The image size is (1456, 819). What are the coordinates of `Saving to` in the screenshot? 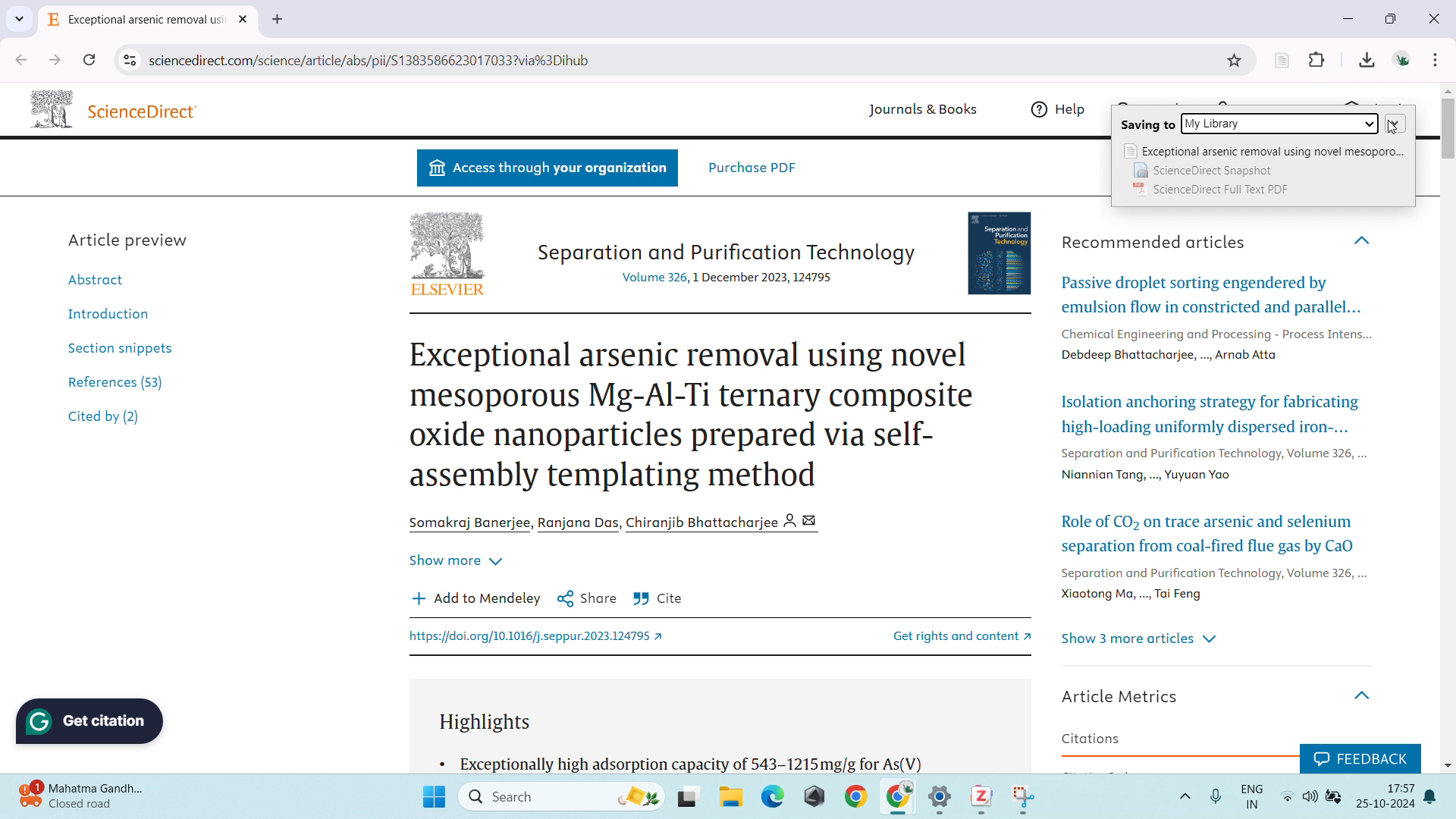 It's located at (1147, 126).